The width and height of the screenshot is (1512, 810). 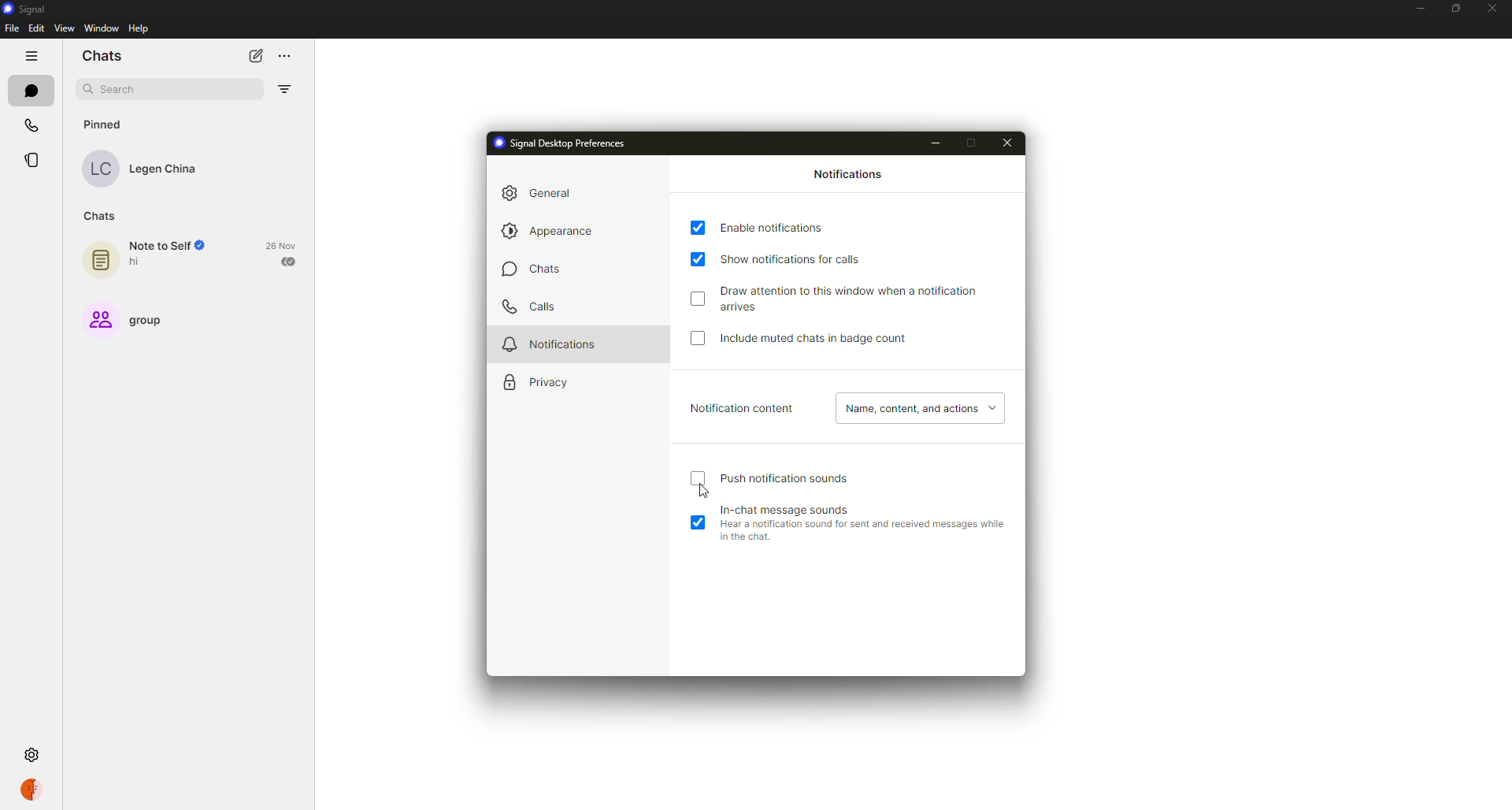 What do you see at coordinates (151, 166) in the screenshot?
I see `contact` at bounding box center [151, 166].